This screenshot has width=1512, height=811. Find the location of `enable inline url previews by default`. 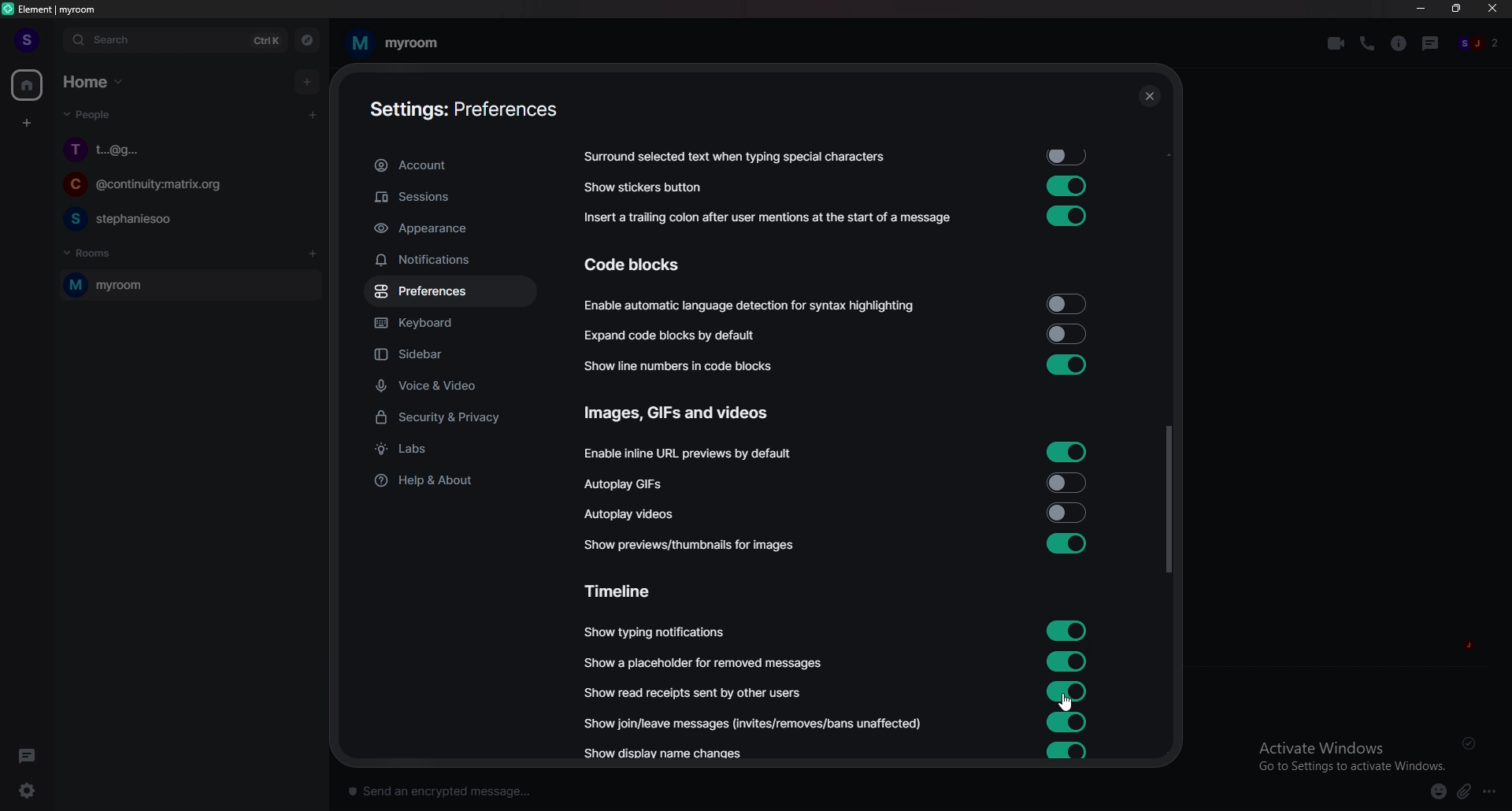

enable inline url previews by default is located at coordinates (691, 454).